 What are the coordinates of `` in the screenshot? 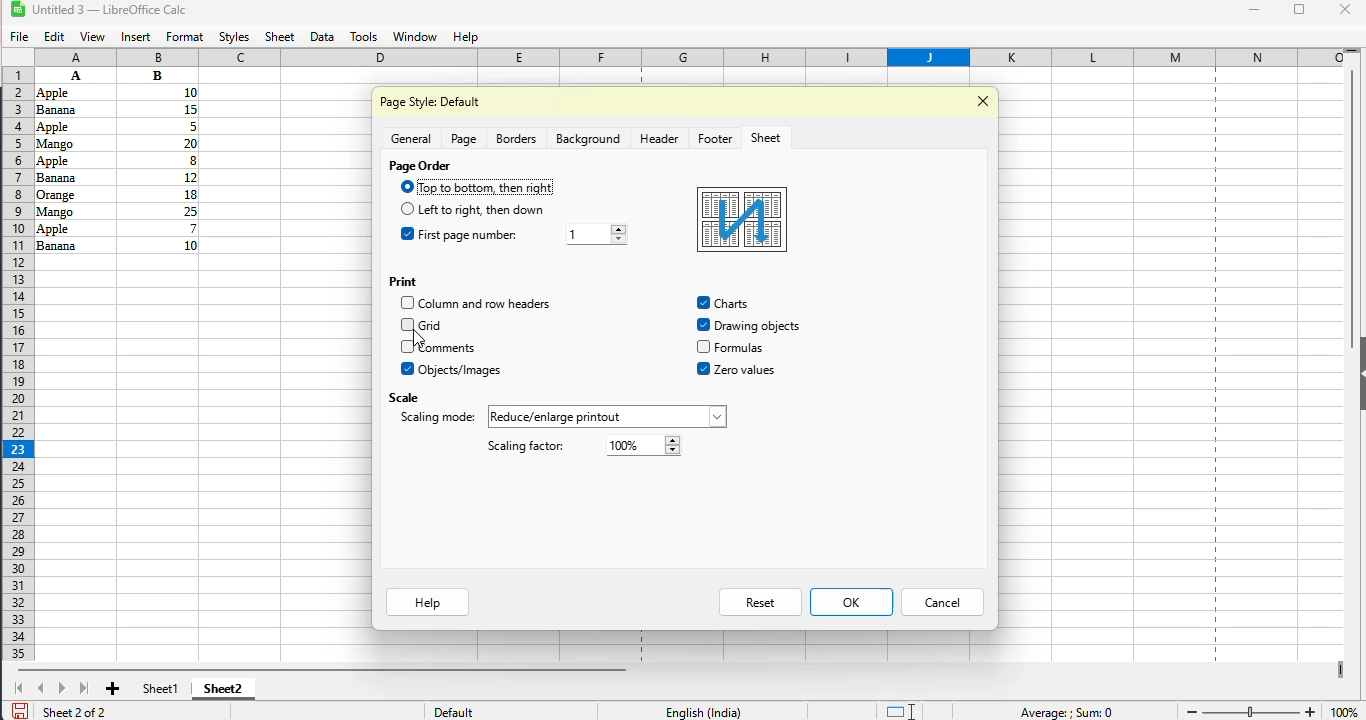 It's located at (73, 160).